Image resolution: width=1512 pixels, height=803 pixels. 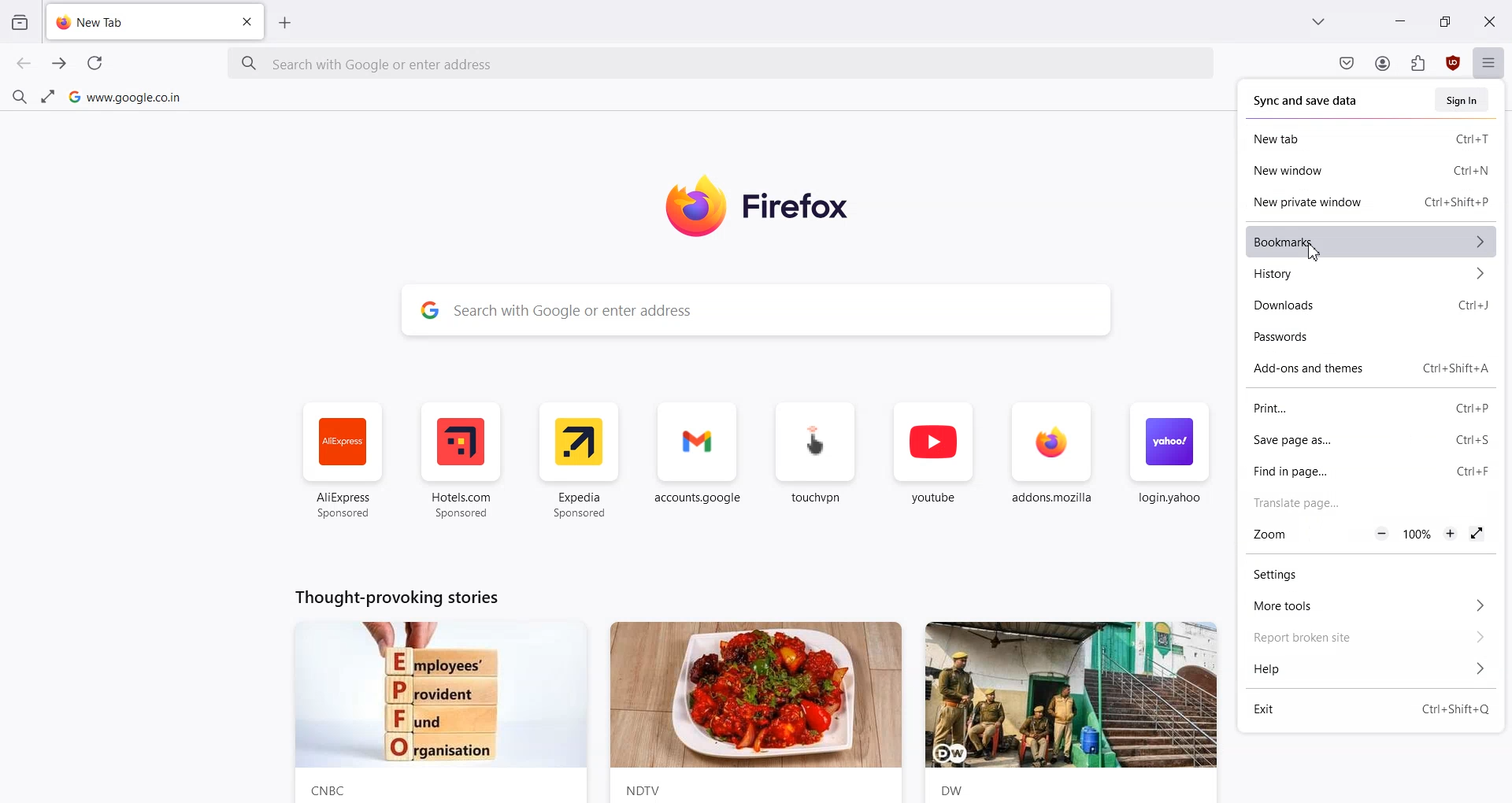 I want to click on Find, so click(x=19, y=94).